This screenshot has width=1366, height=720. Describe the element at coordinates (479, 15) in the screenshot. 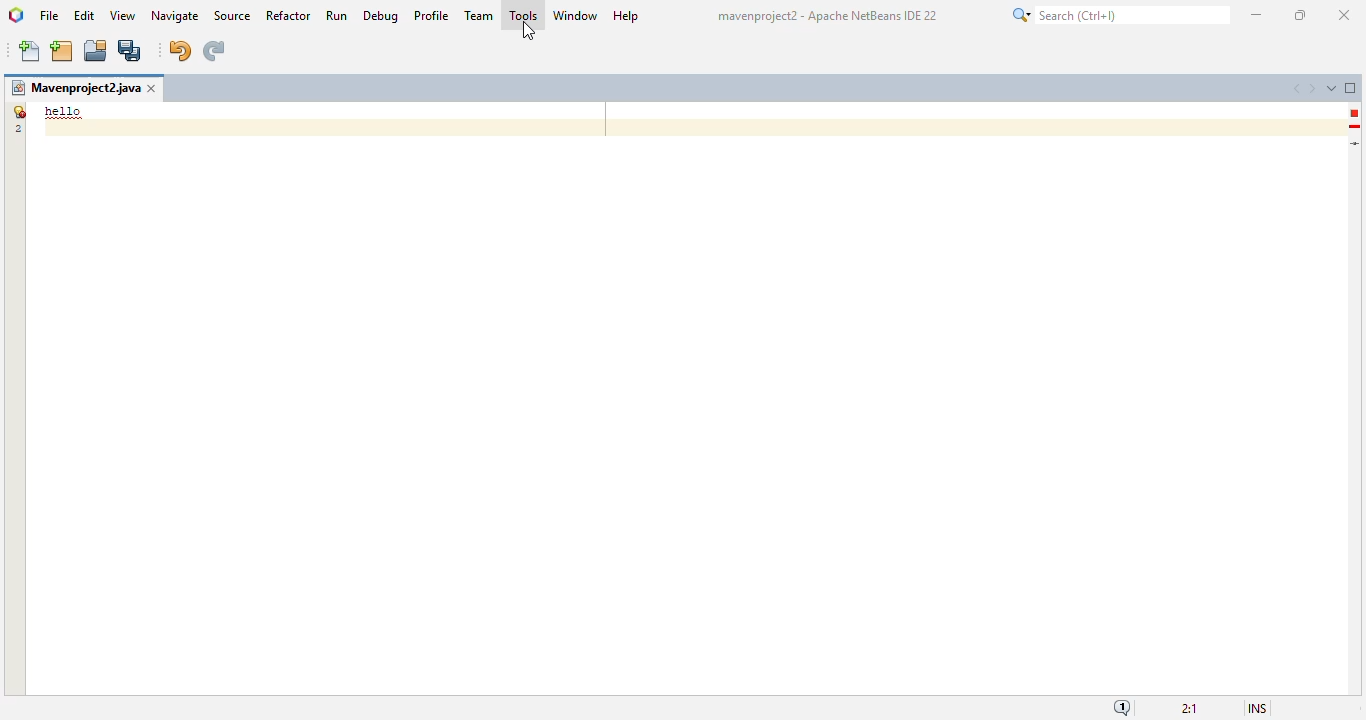

I see `team` at that location.